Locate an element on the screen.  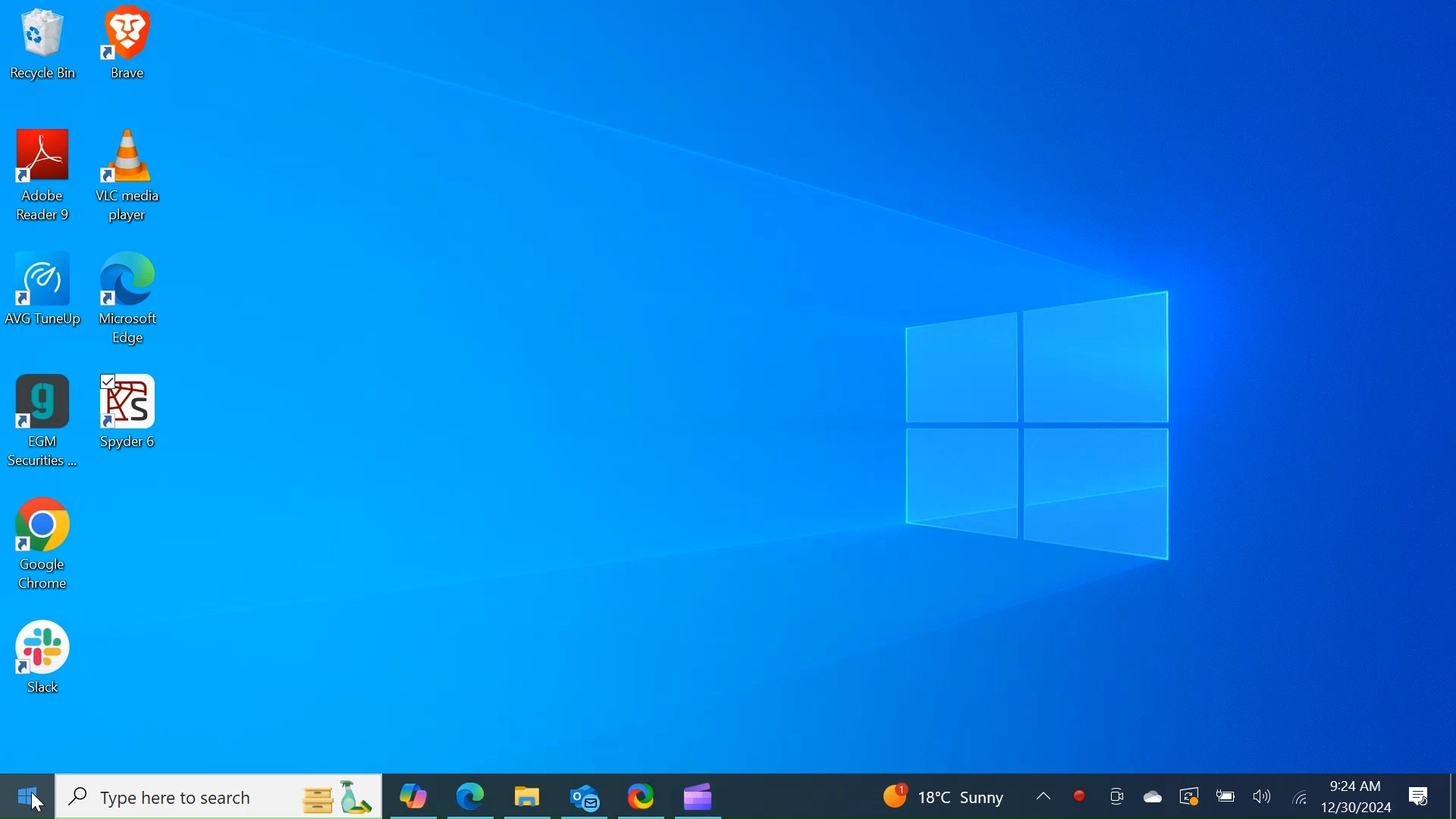
Microsoft Edge is located at coordinates (470, 796).